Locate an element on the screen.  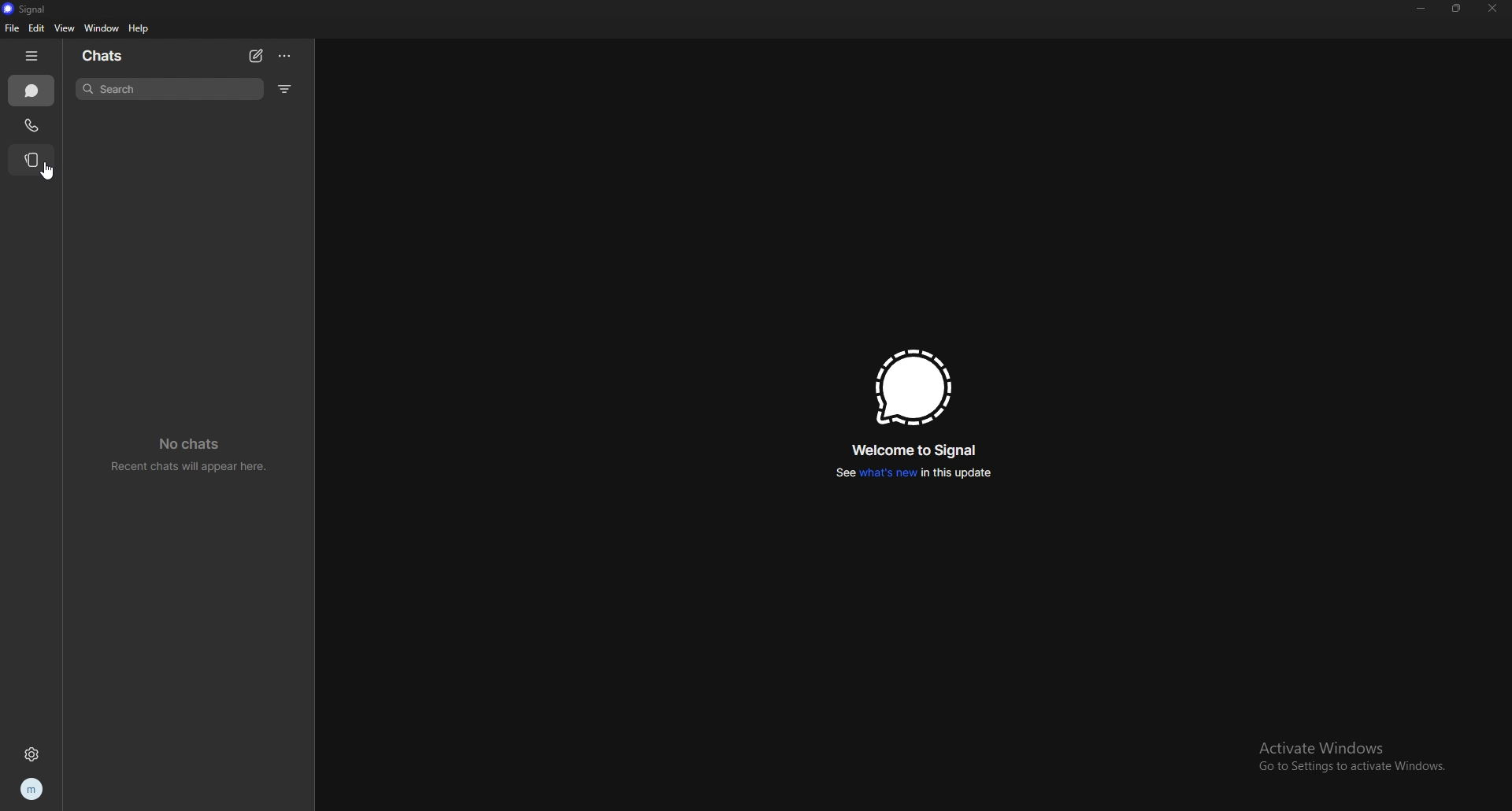
new chat is located at coordinates (258, 55).